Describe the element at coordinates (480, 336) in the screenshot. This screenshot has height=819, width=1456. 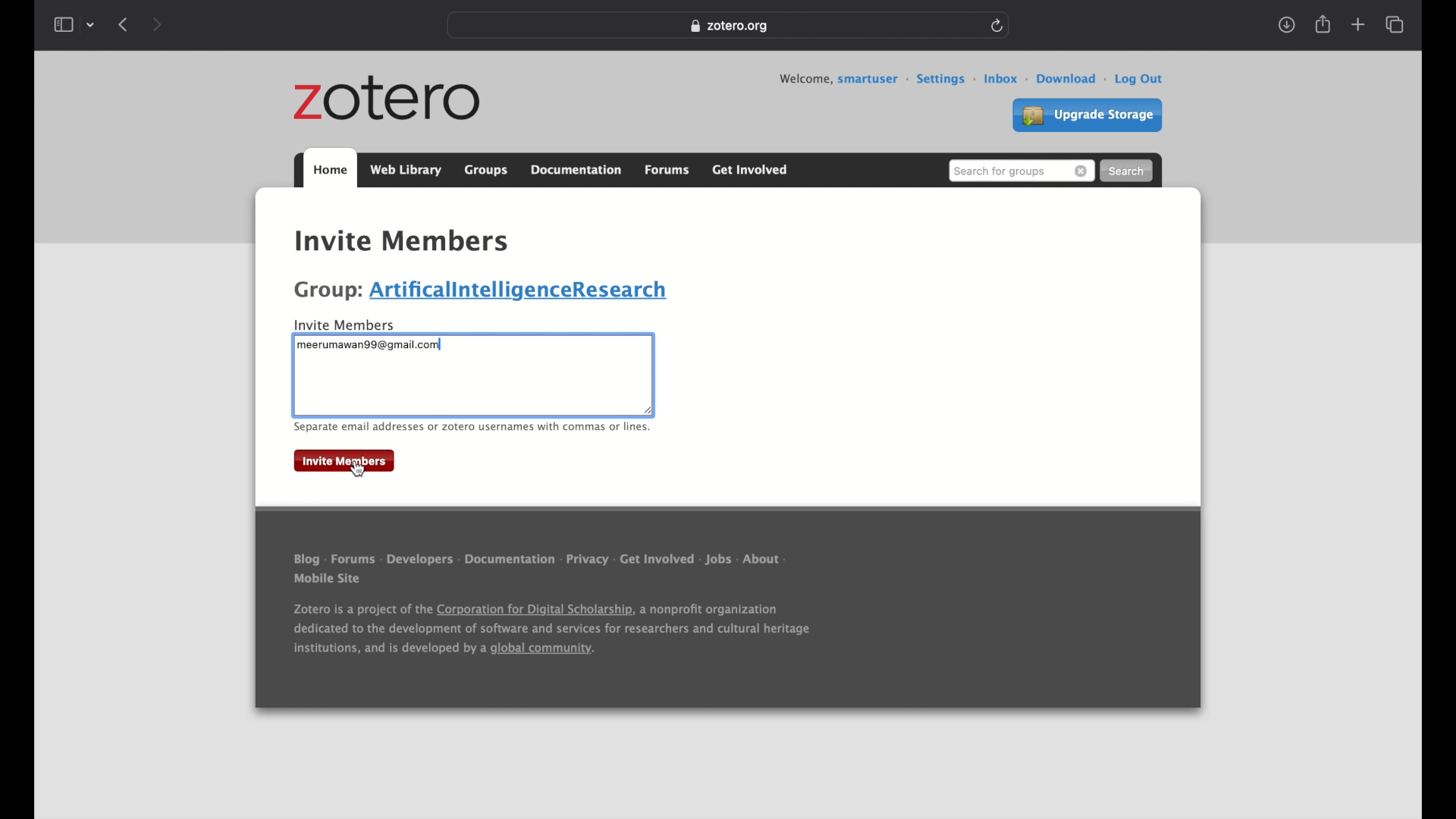
I see `highlighted text boundary` at that location.